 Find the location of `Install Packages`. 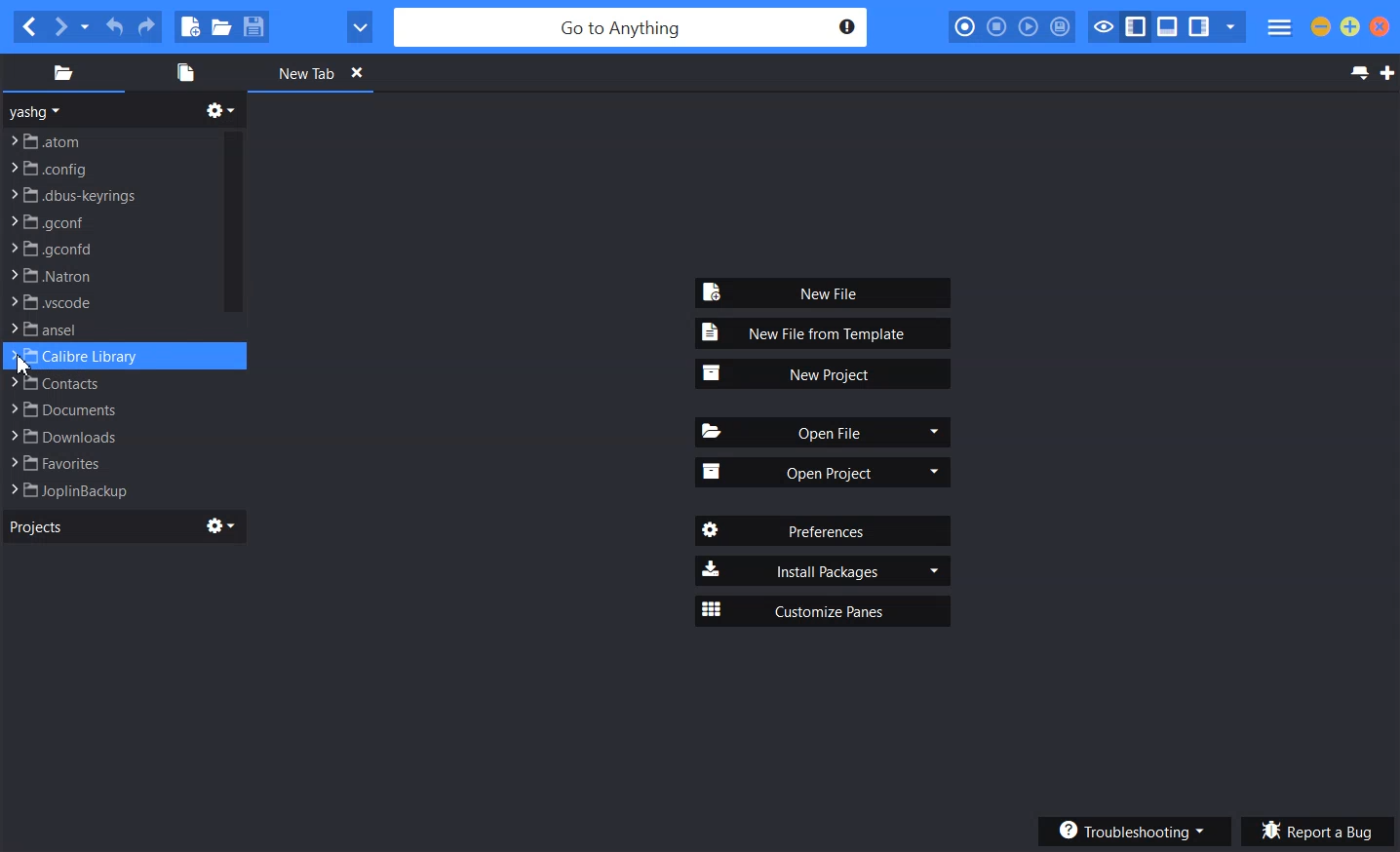

Install Packages is located at coordinates (823, 569).